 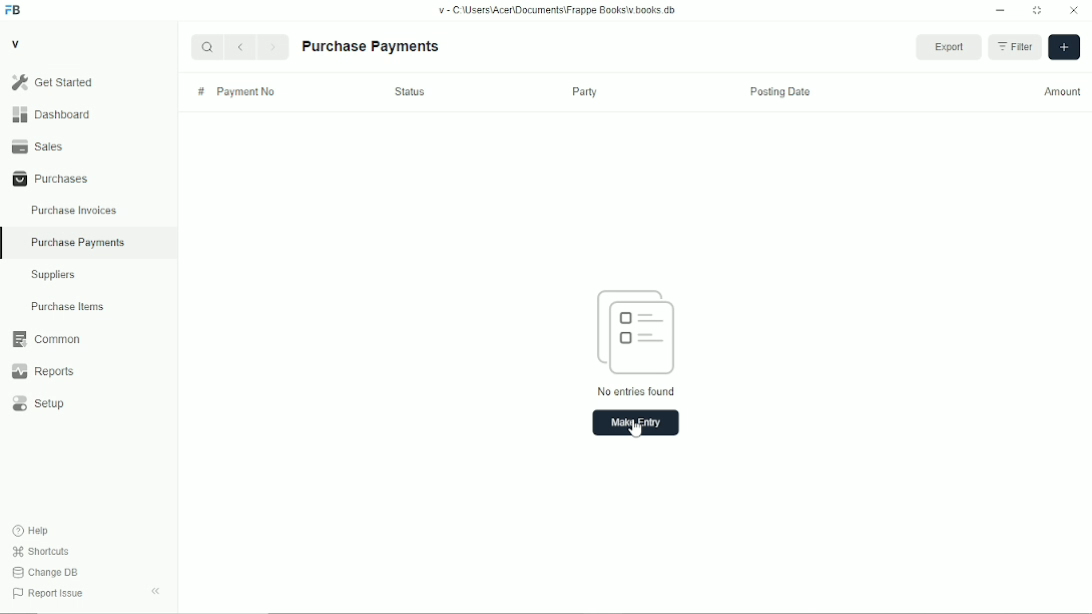 What do you see at coordinates (31, 531) in the screenshot?
I see `Help` at bounding box center [31, 531].